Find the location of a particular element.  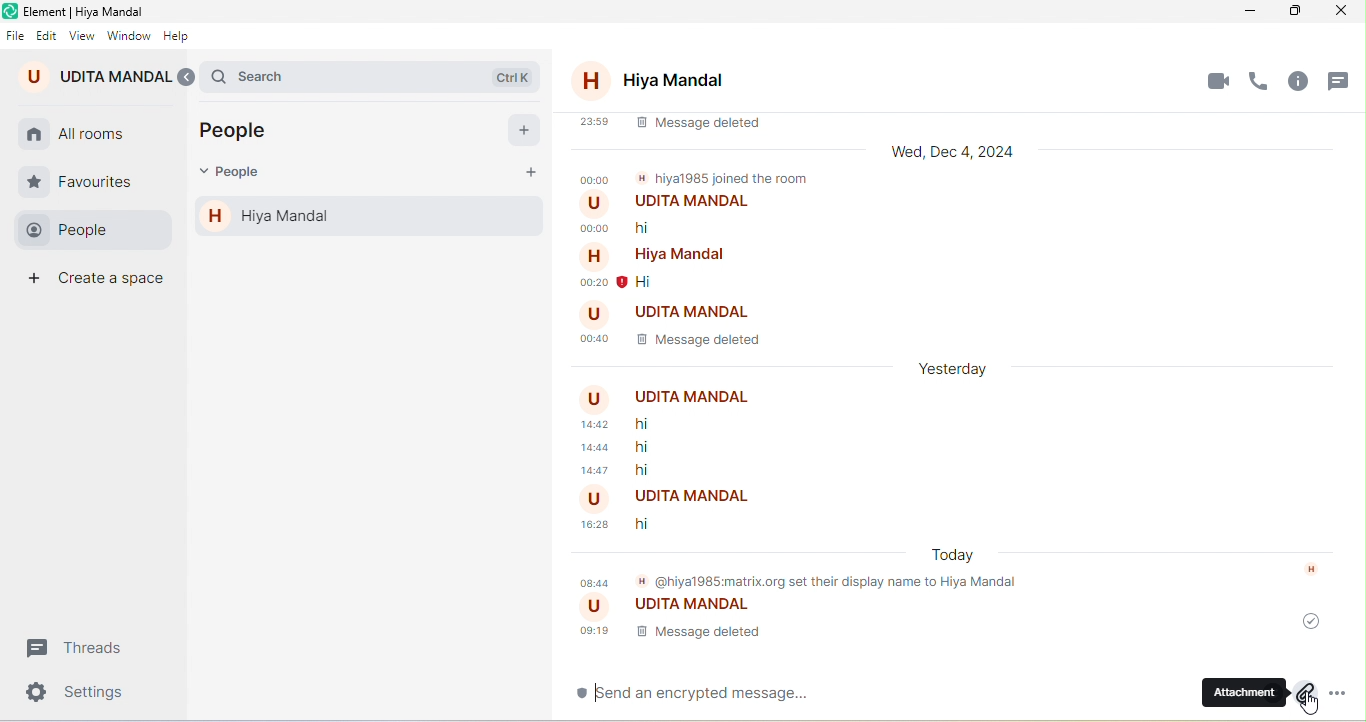

title is located at coordinates (93, 10).